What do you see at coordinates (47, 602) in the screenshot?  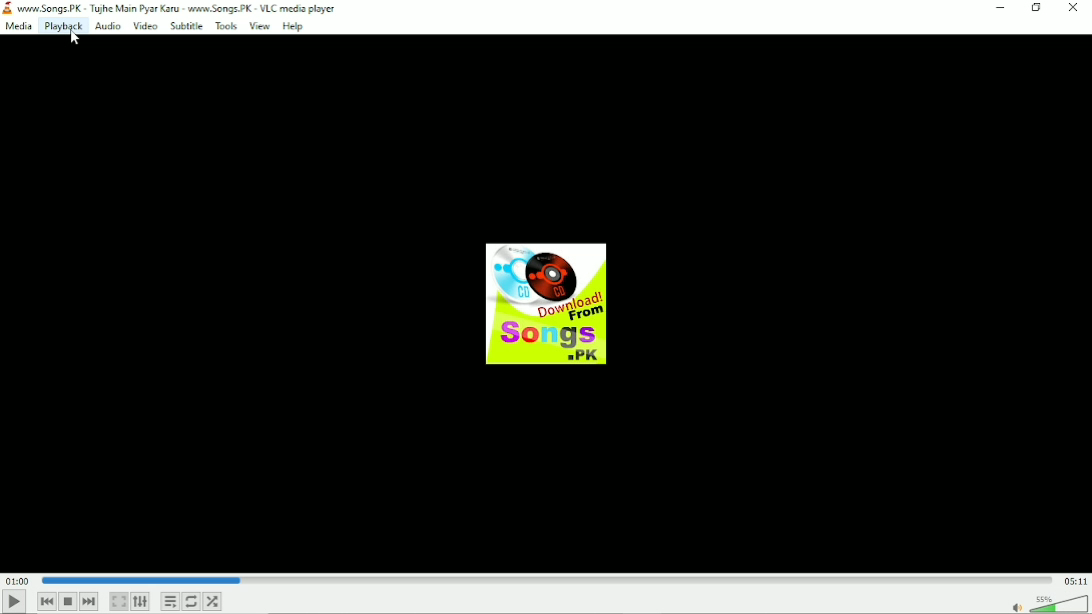 I see `Previous` at bounding box center [47, 602].